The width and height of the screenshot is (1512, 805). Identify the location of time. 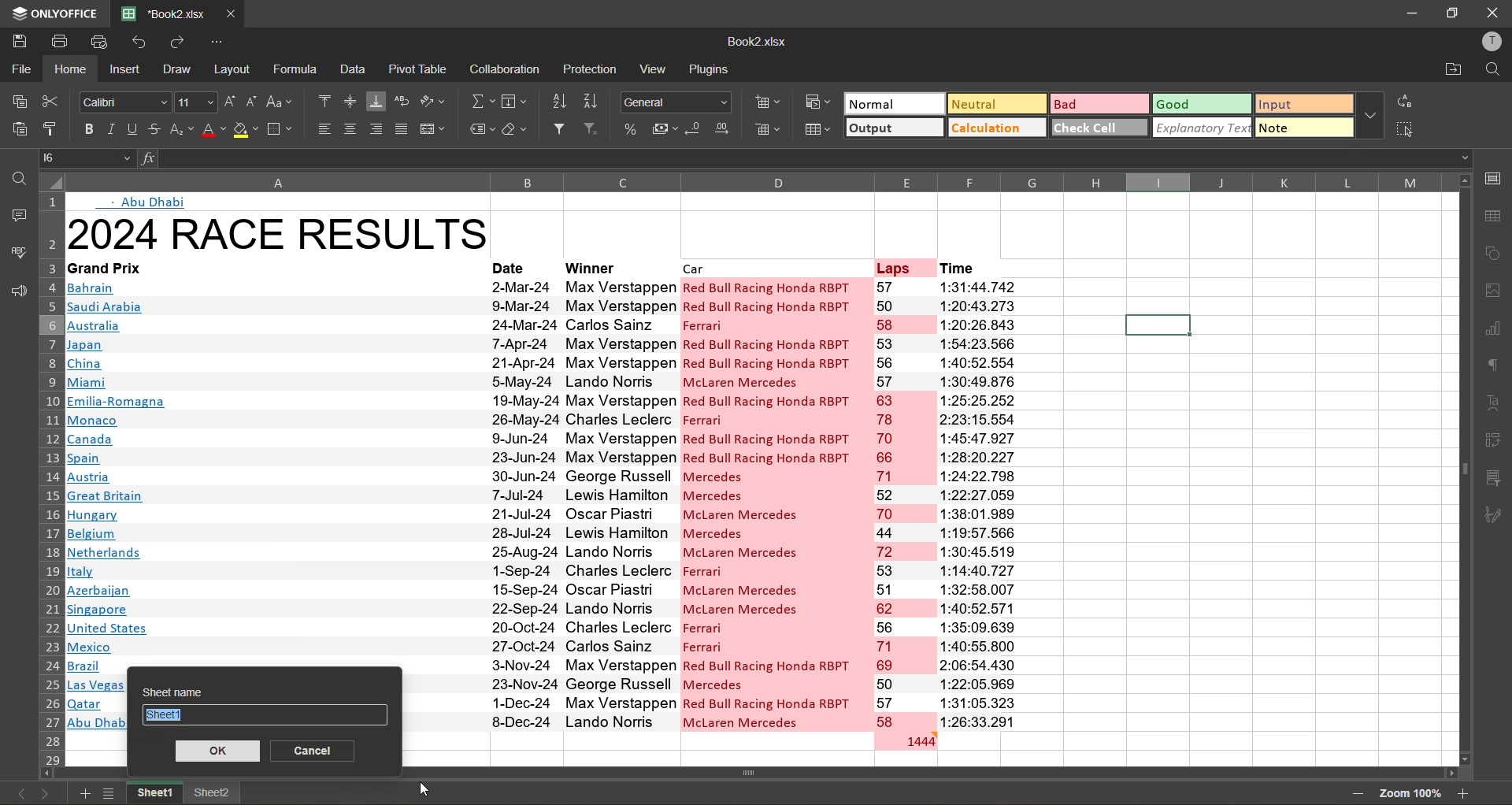
(973, 265).